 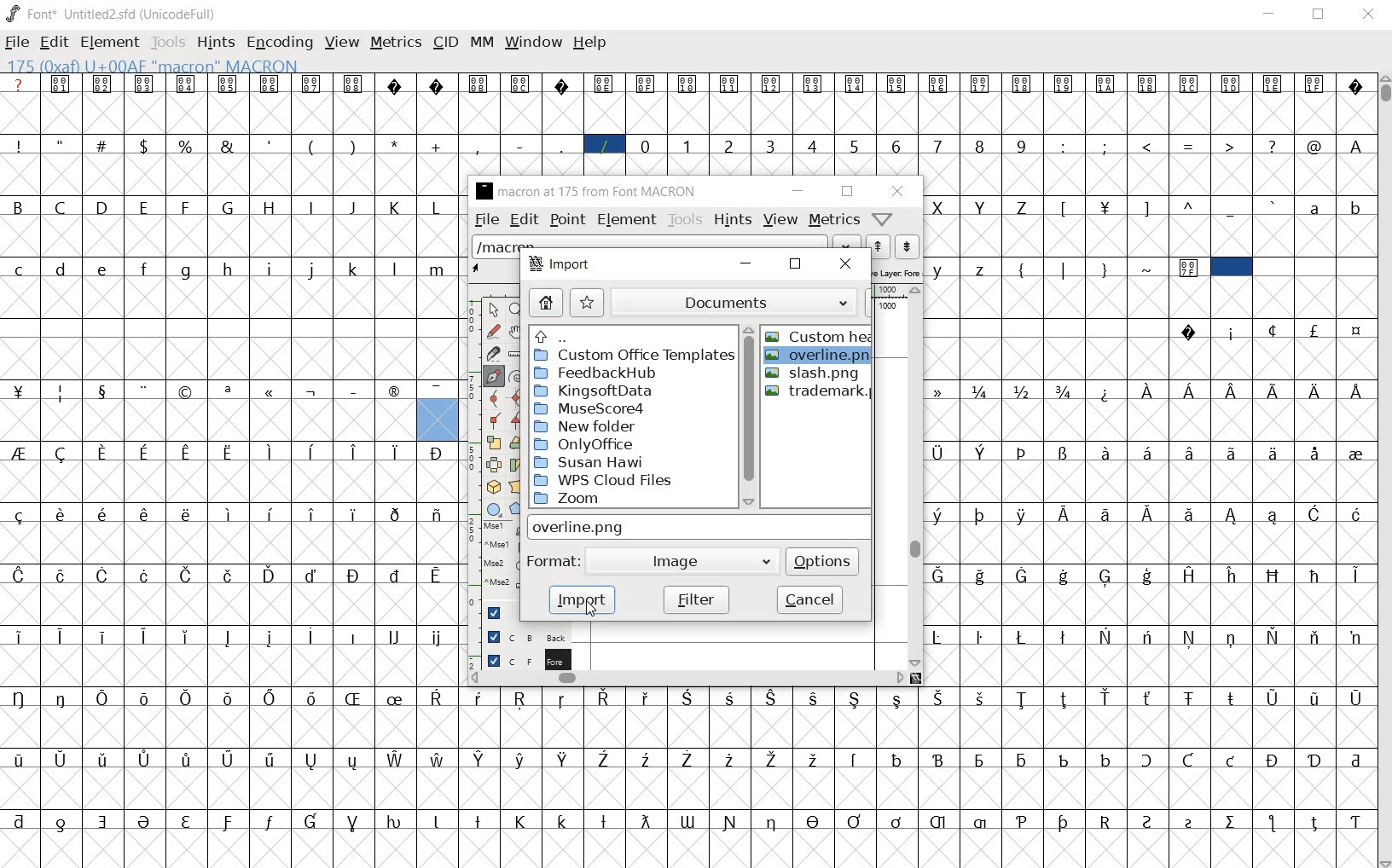 I want to click on (, so click(x=312, y=145).